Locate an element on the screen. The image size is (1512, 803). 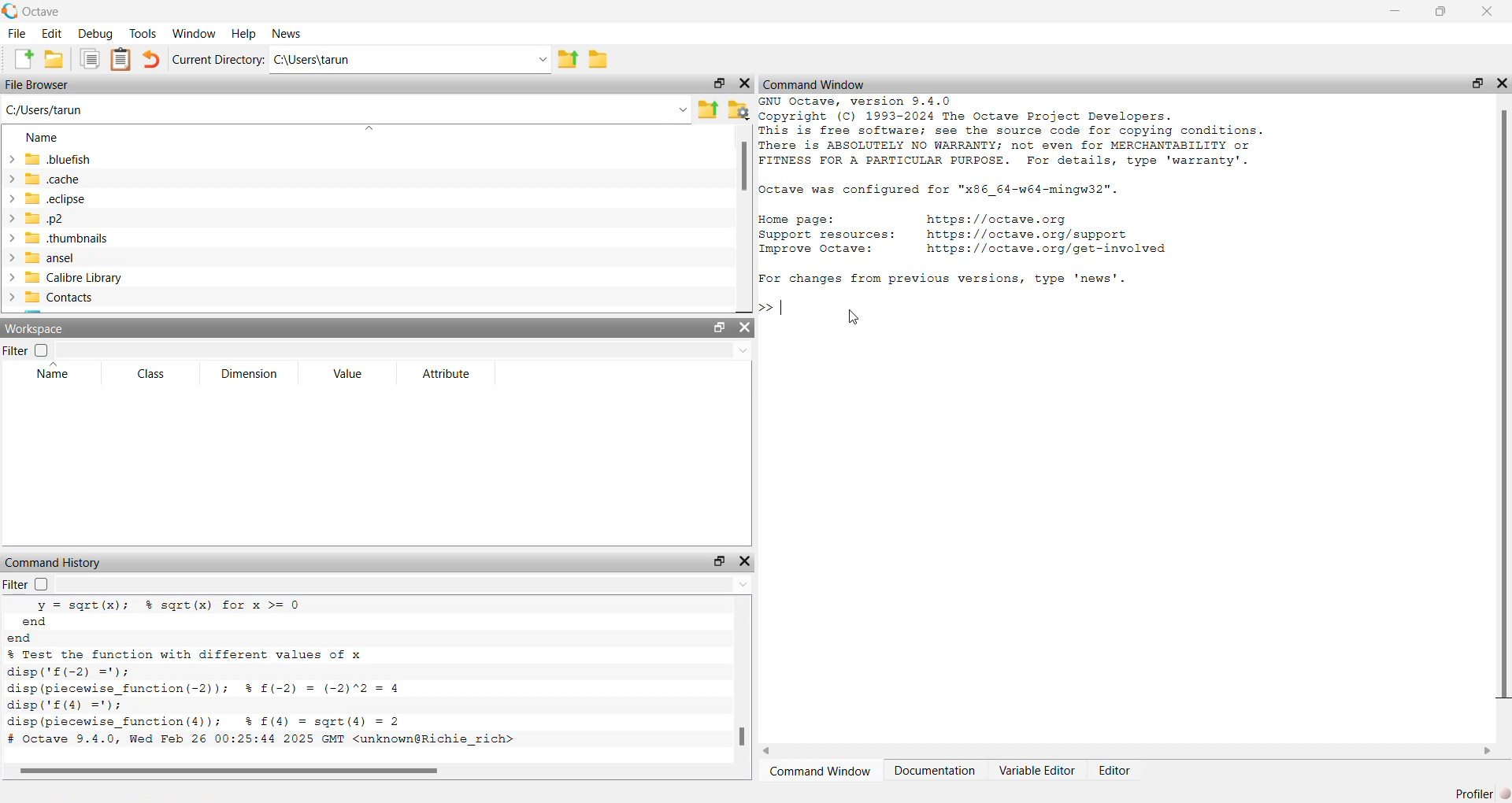
Right is located at coordinates (1488, 749).